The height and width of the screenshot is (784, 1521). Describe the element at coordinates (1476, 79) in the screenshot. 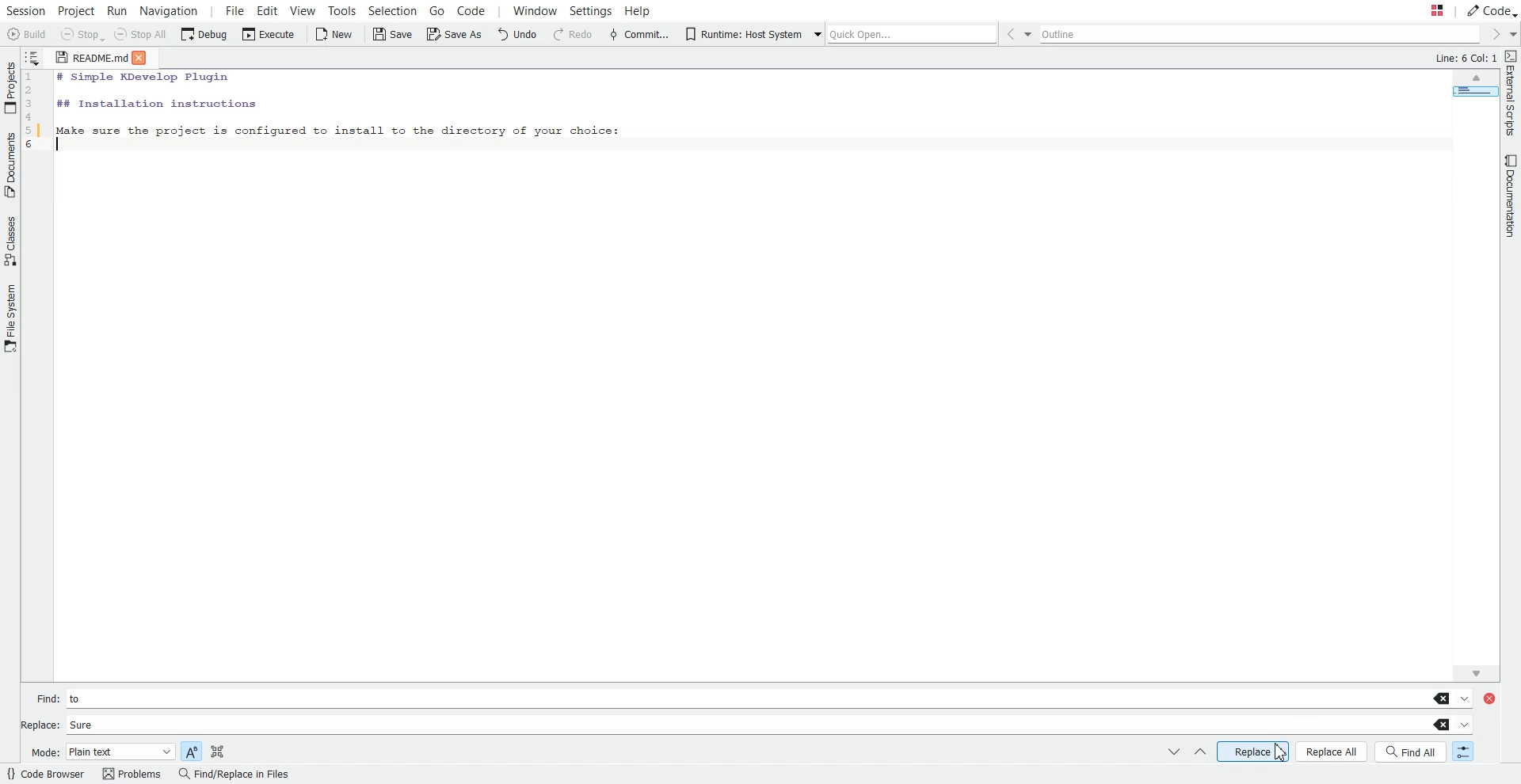

I see `Scroll up arrow` at that location.